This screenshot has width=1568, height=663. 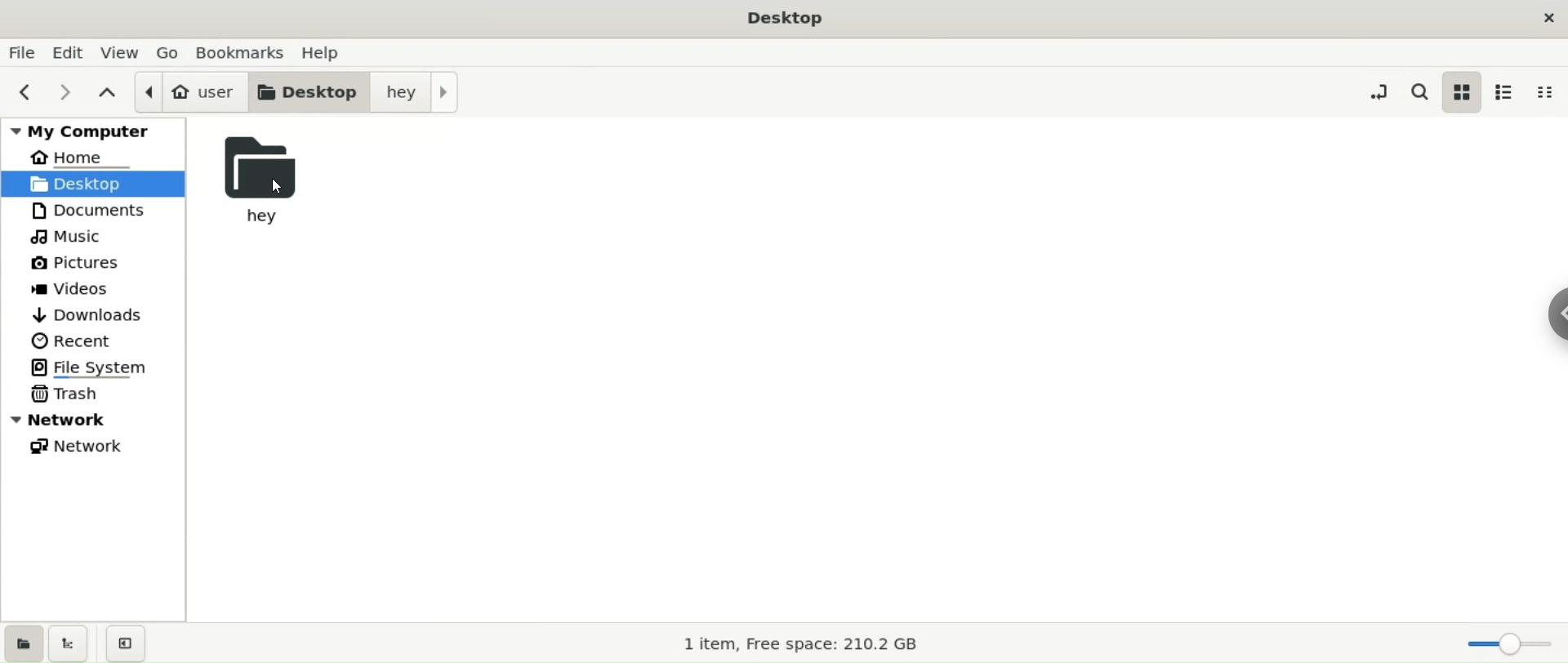 I want to click on previous, so click(x=26, y=93).